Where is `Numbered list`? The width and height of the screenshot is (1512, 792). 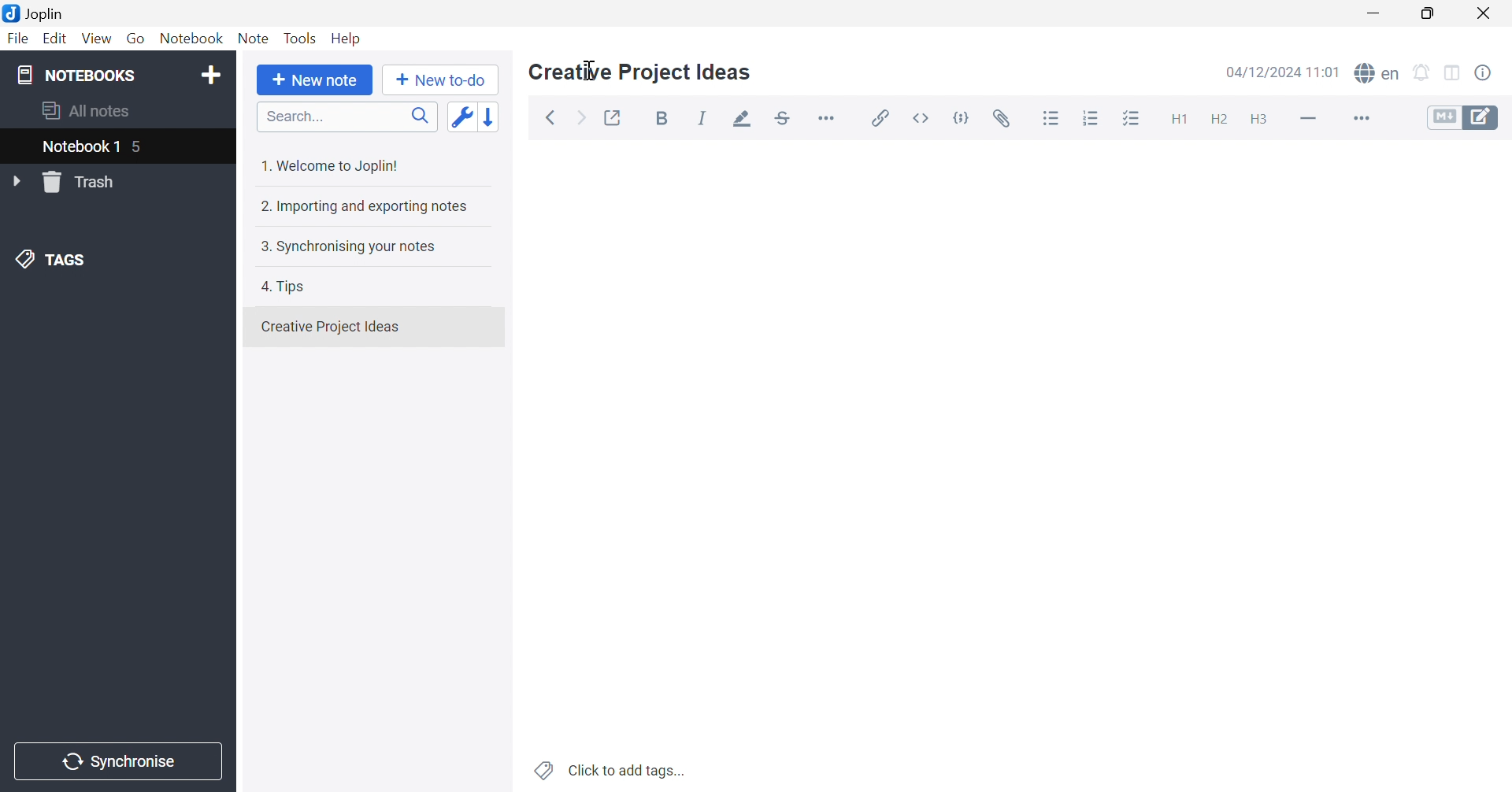 Numbered list is located at coordinates (1092, 120).